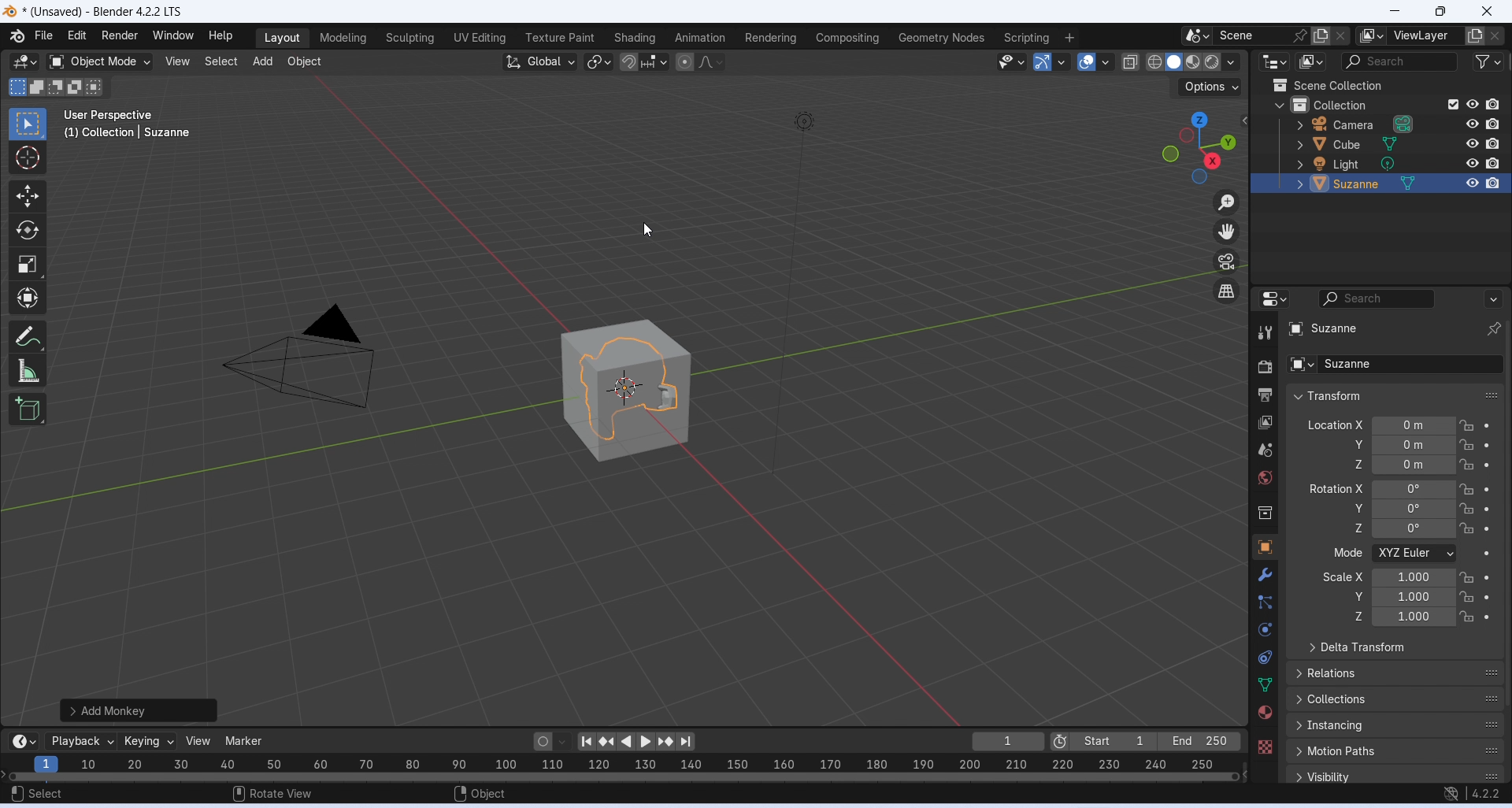 This screenshot has width=1512, height=808. Describe the element at coordinates (77, 35) in the screenshot. I see `Edit` at that location.